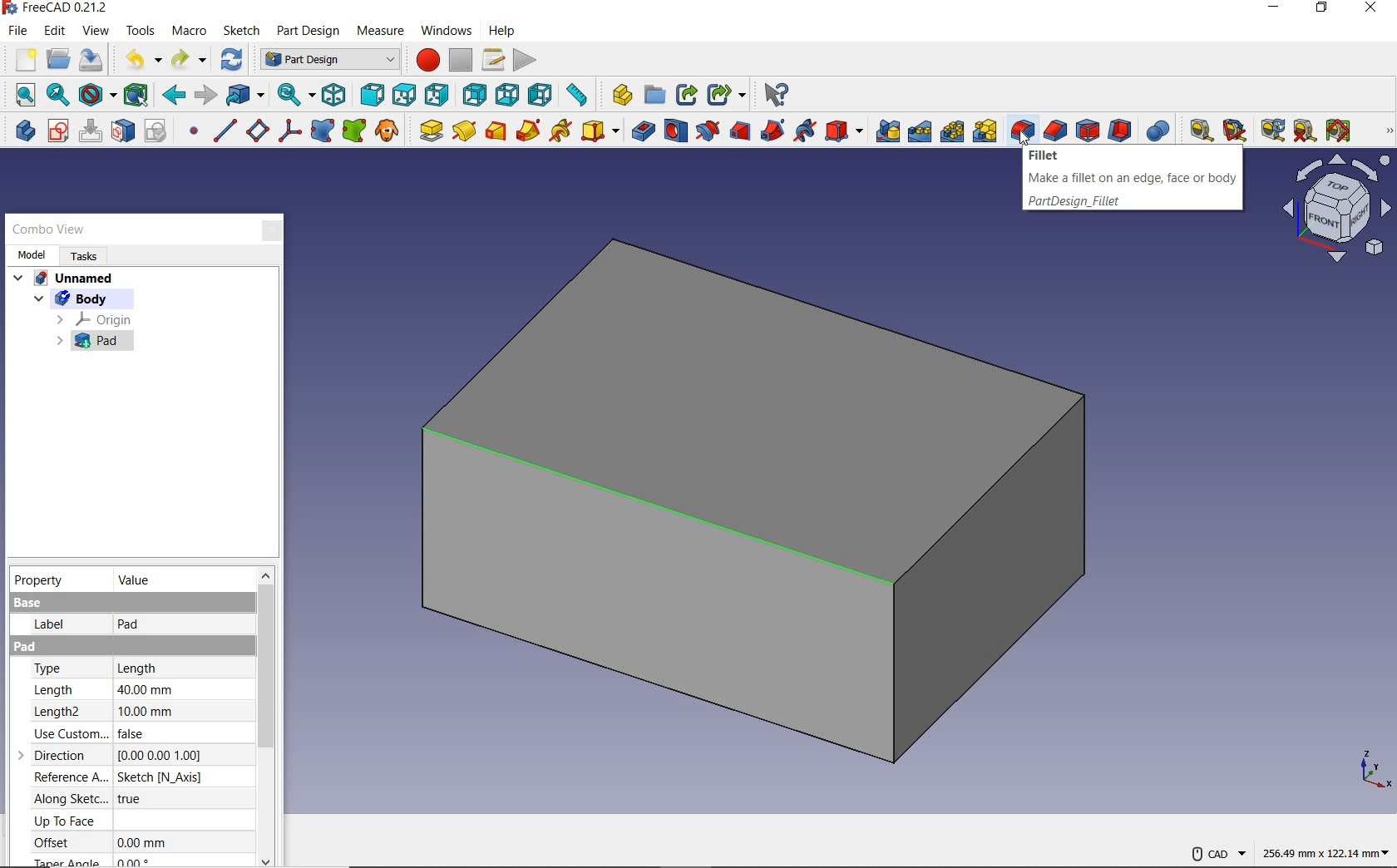  What do you see at coordinates (804, 130) in the screenshot?
I see `subtractive helix` at bounding box center [804, 130].